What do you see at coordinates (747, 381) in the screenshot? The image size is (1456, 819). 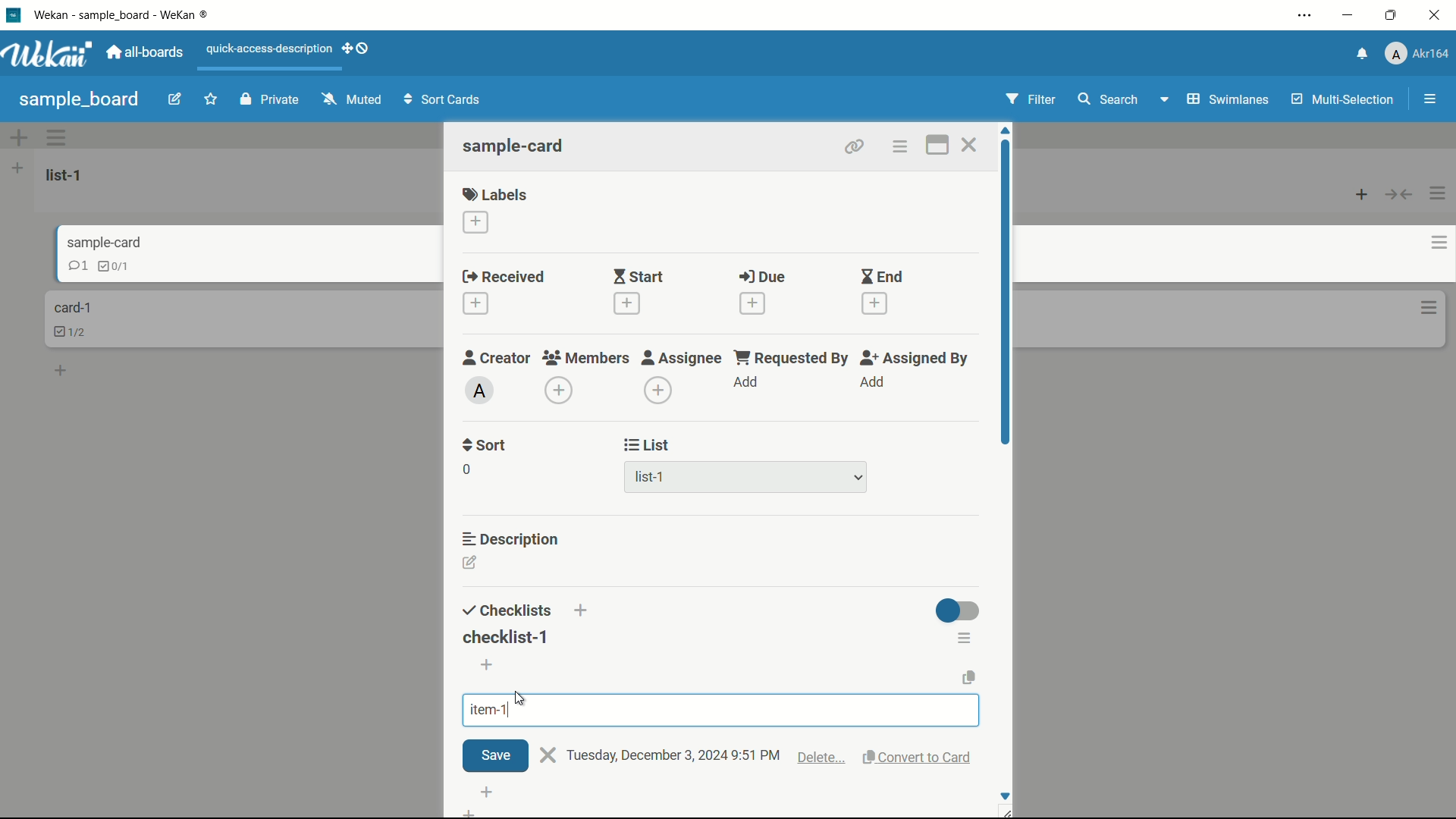 I see `add` at bounding box center [747, 381].